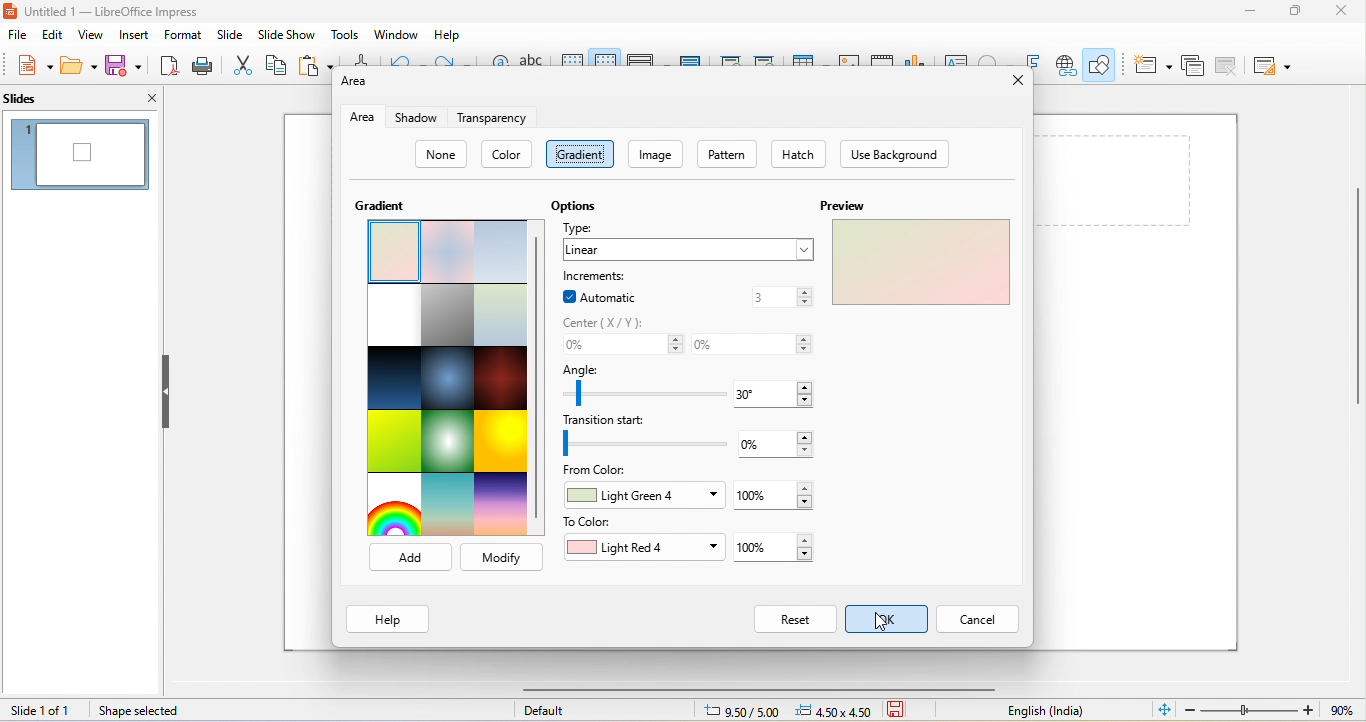 Image resolution: width=1366 pixels, height=722 pixels. What do you see at coordinates (805, 297) in the screenshot?
I see `adjust` at bounding box center [805, 297].